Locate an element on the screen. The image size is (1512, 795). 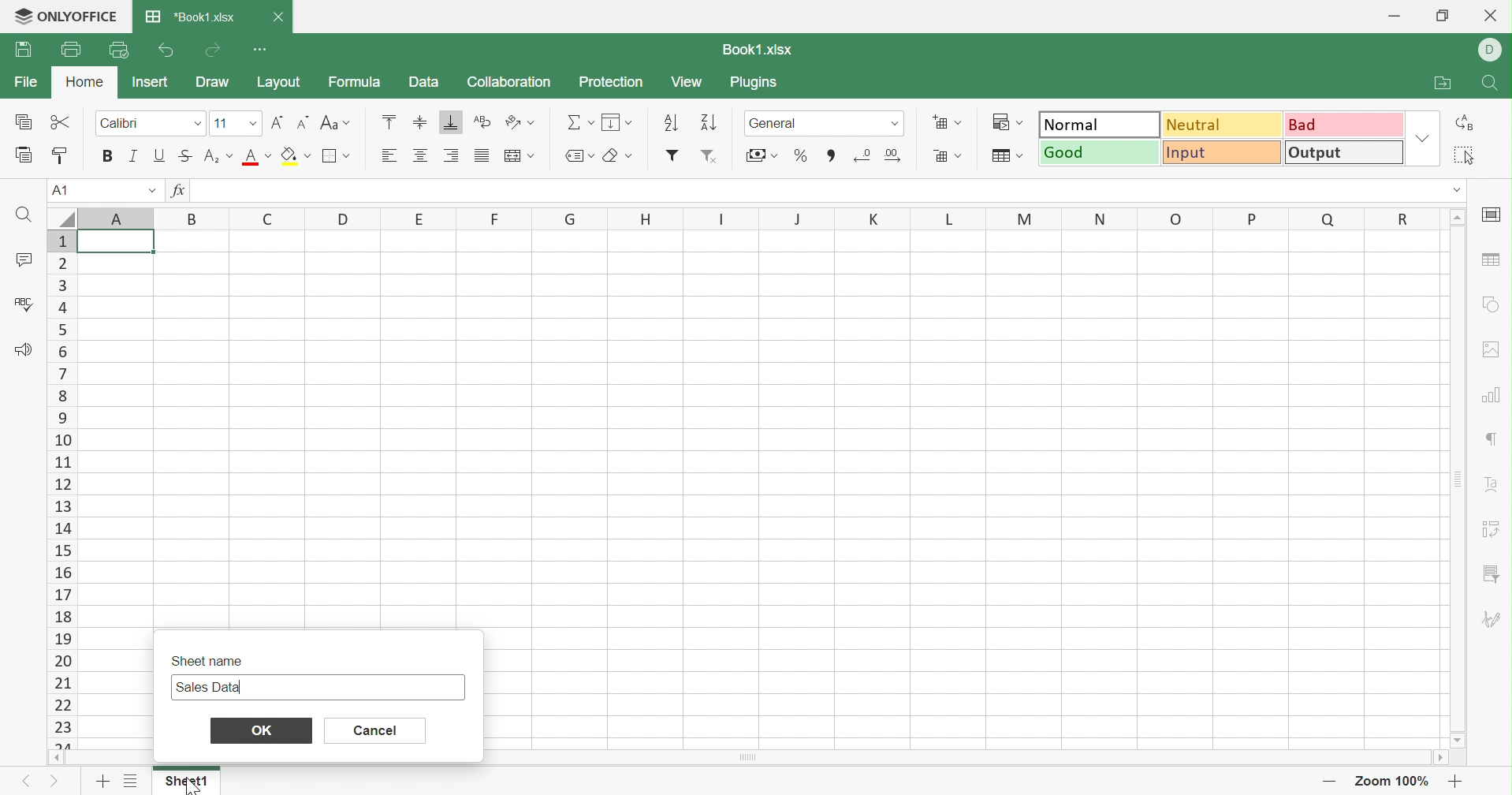
Good is located at coordinates (1101, 152).